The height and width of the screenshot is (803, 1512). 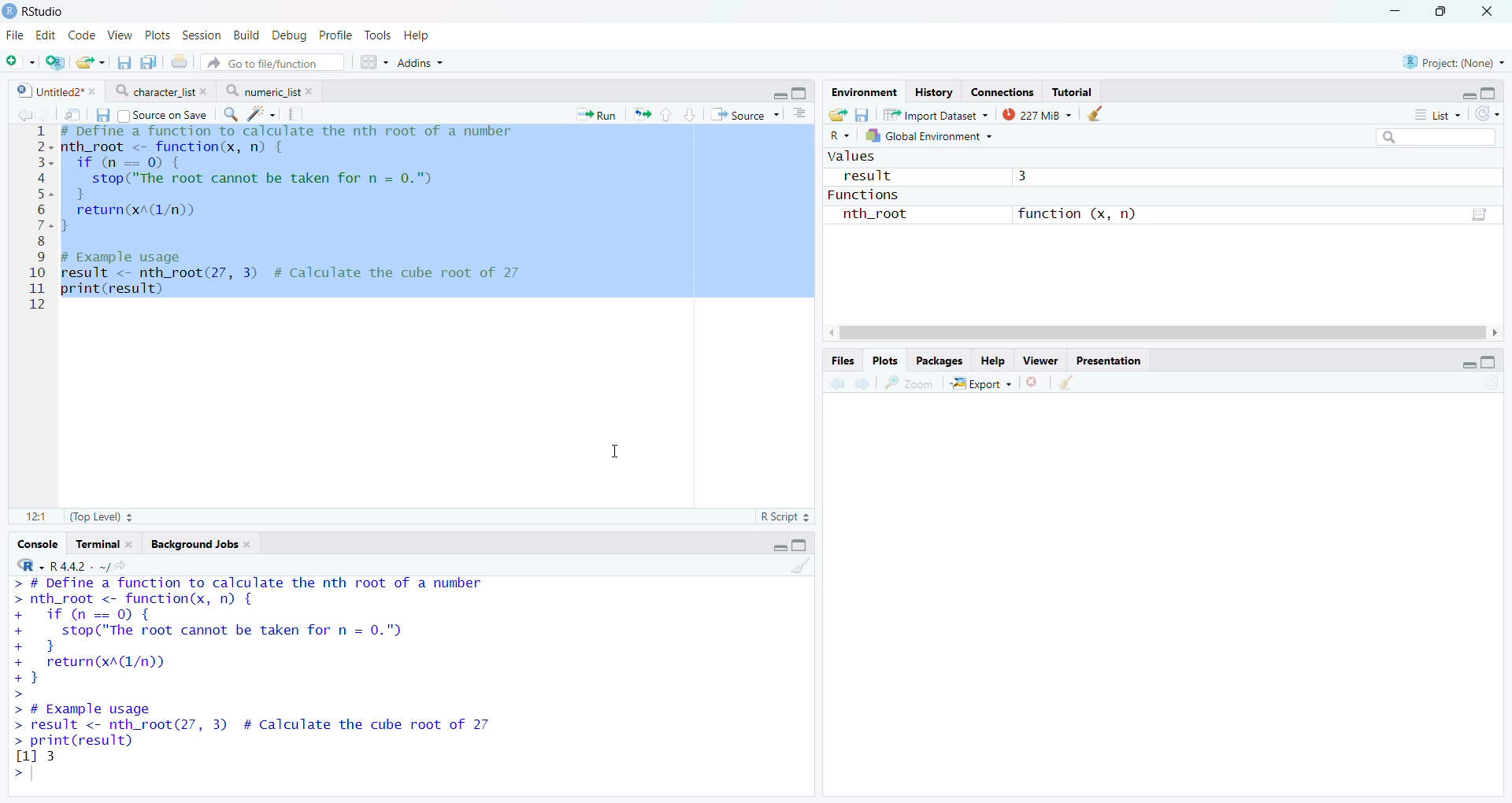 I want to click on View, so click(x=119, y=33).